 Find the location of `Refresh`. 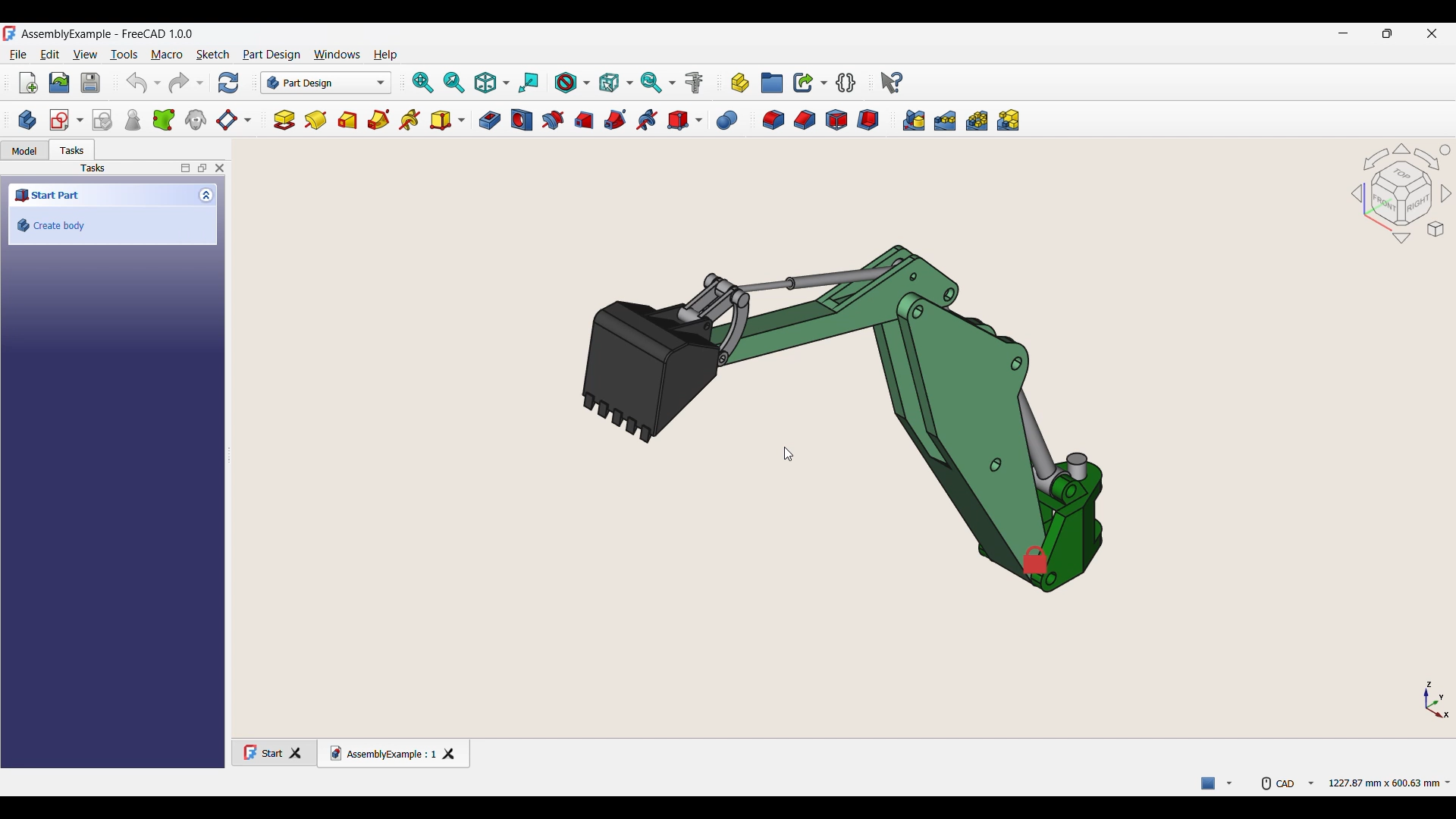

Refresh is located at coordinates (228, 83).